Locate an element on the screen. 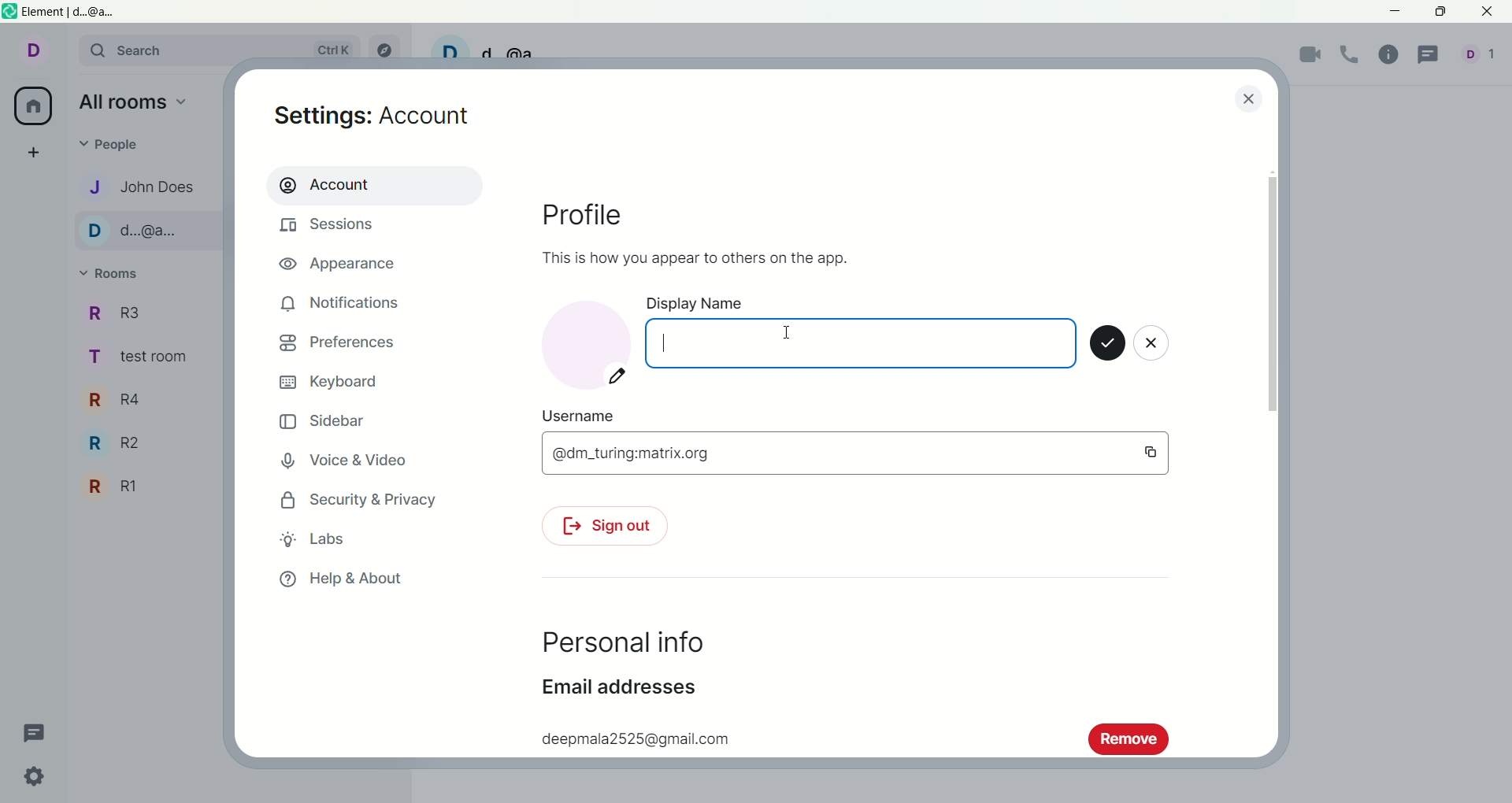 This screenshot has width=1512, height=803. labs is located at coordinates (314, 538).